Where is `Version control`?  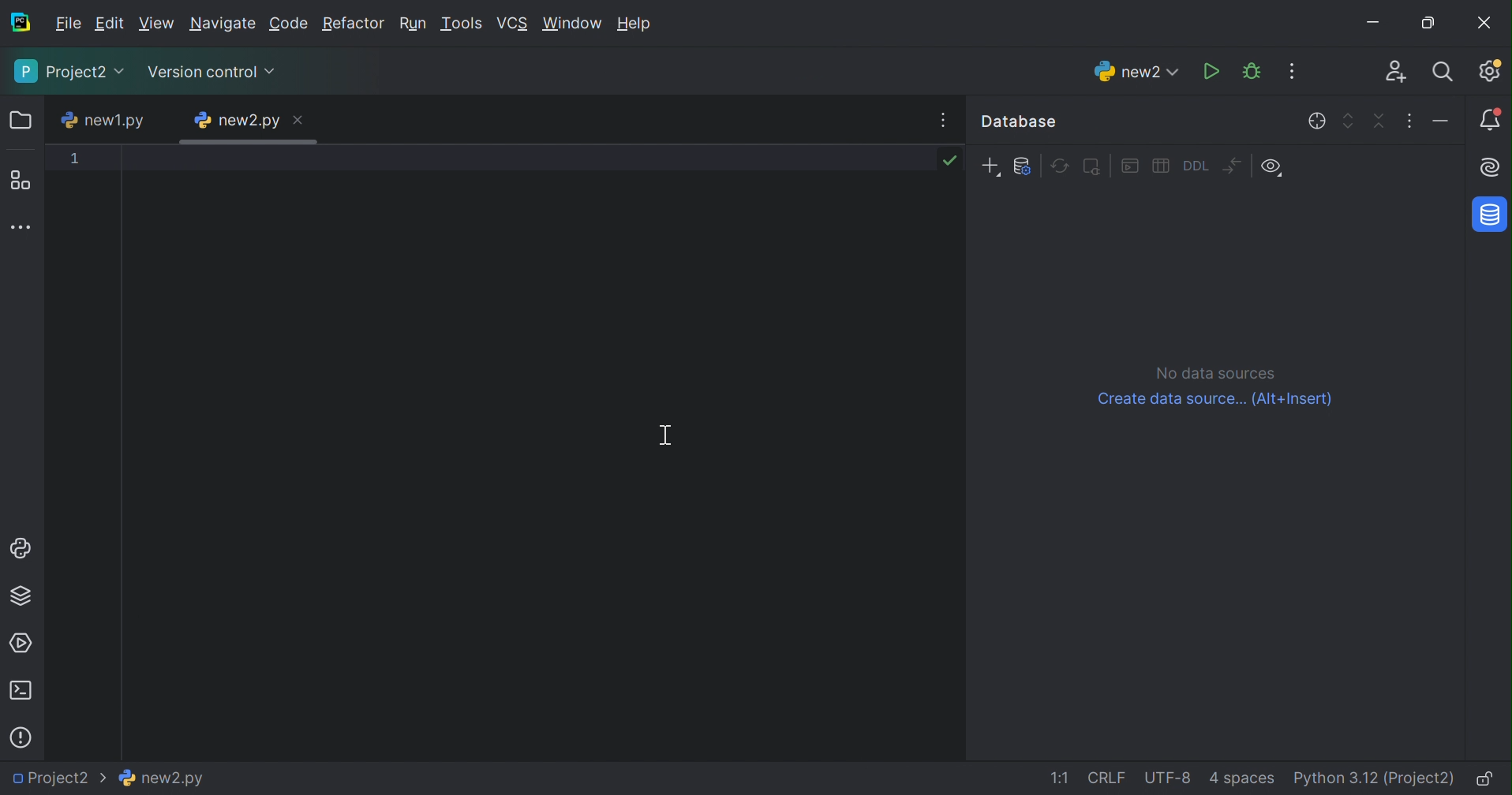
Version control is located at coordinates (211, 72).